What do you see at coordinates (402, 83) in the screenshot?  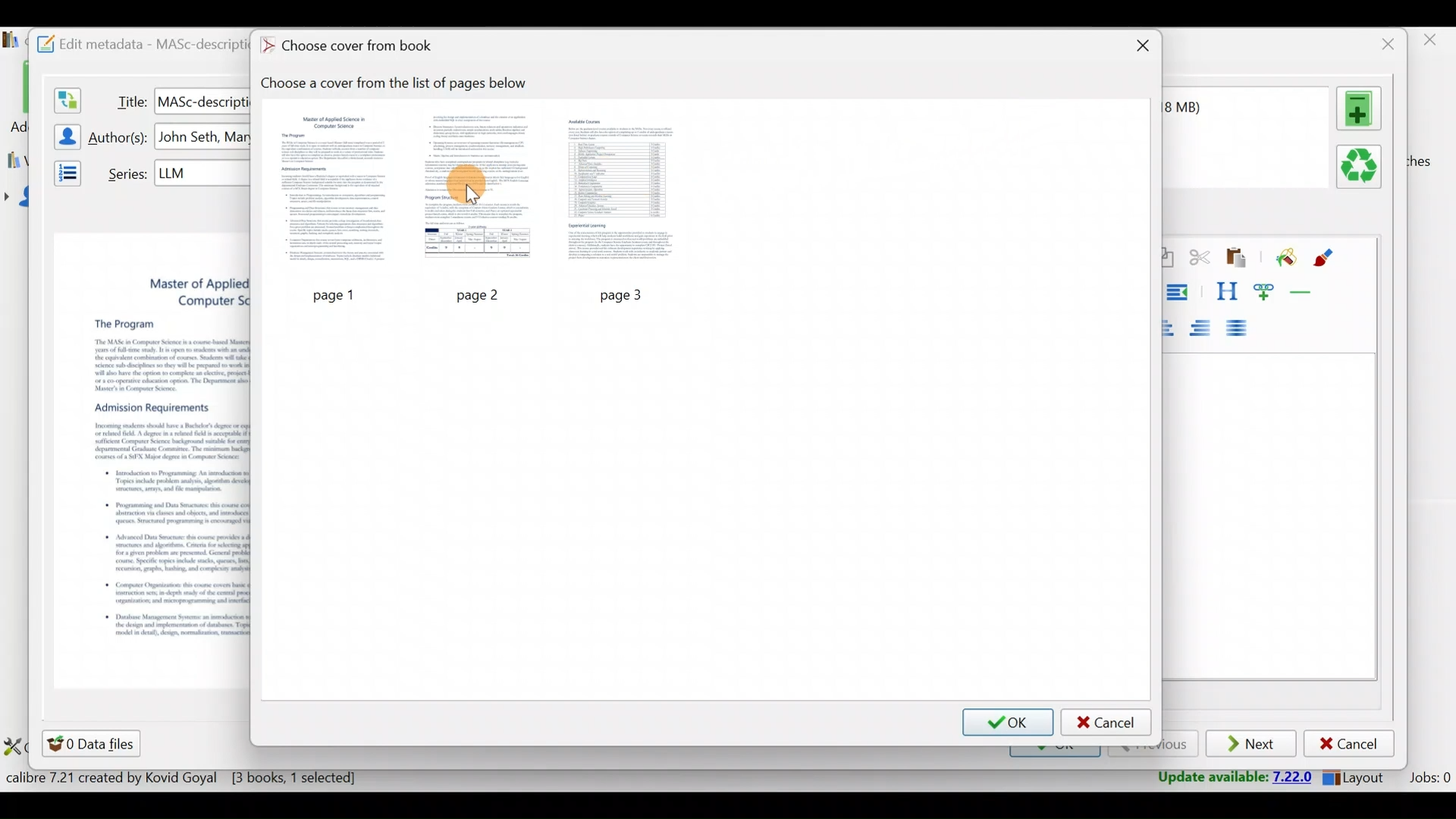 I see `Choose a cover from the list of pages below` at bounding box center [402, 83].